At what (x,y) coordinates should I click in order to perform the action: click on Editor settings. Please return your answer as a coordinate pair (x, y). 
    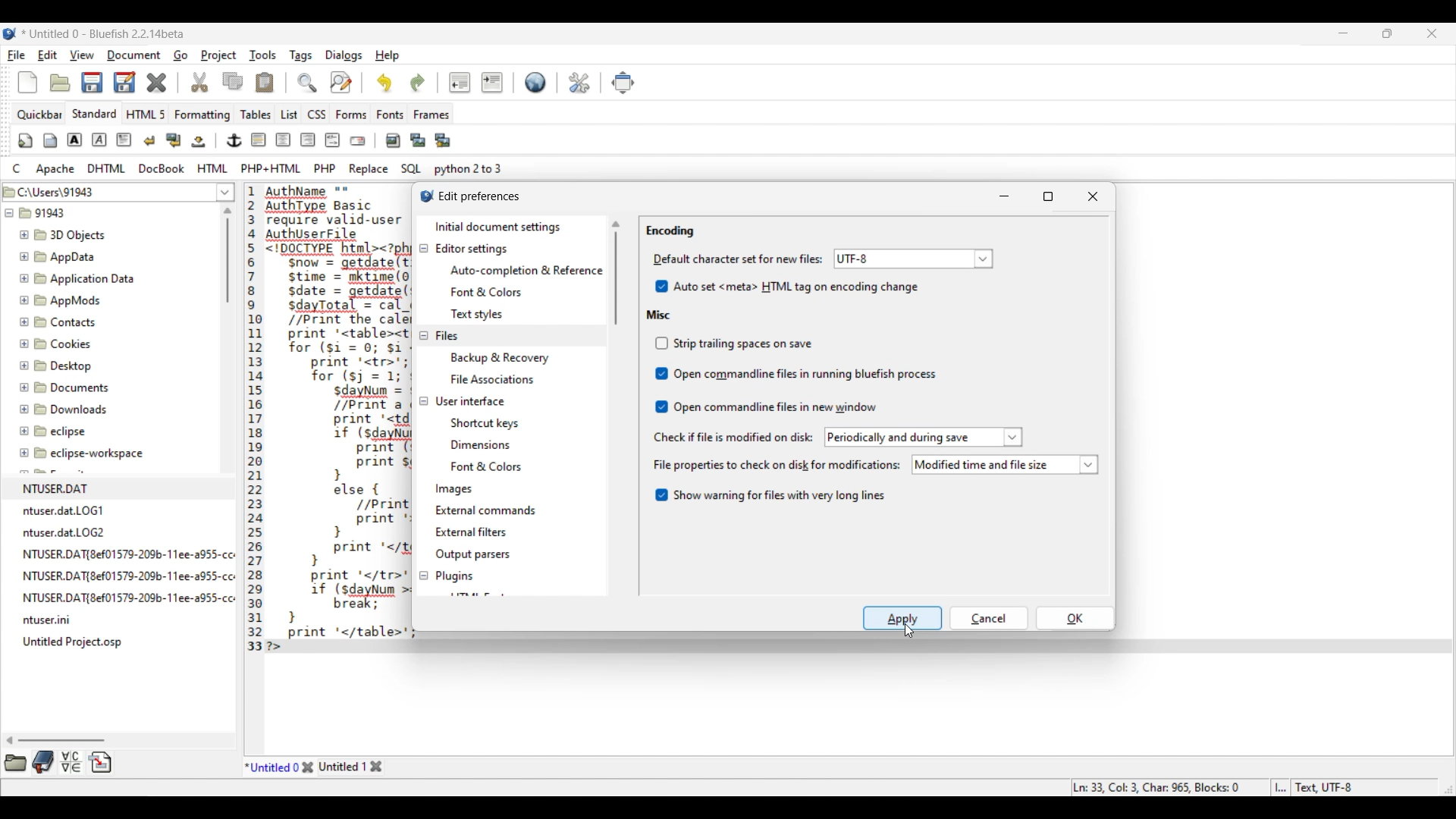
    Looking at the image, I should click on (473, 249).